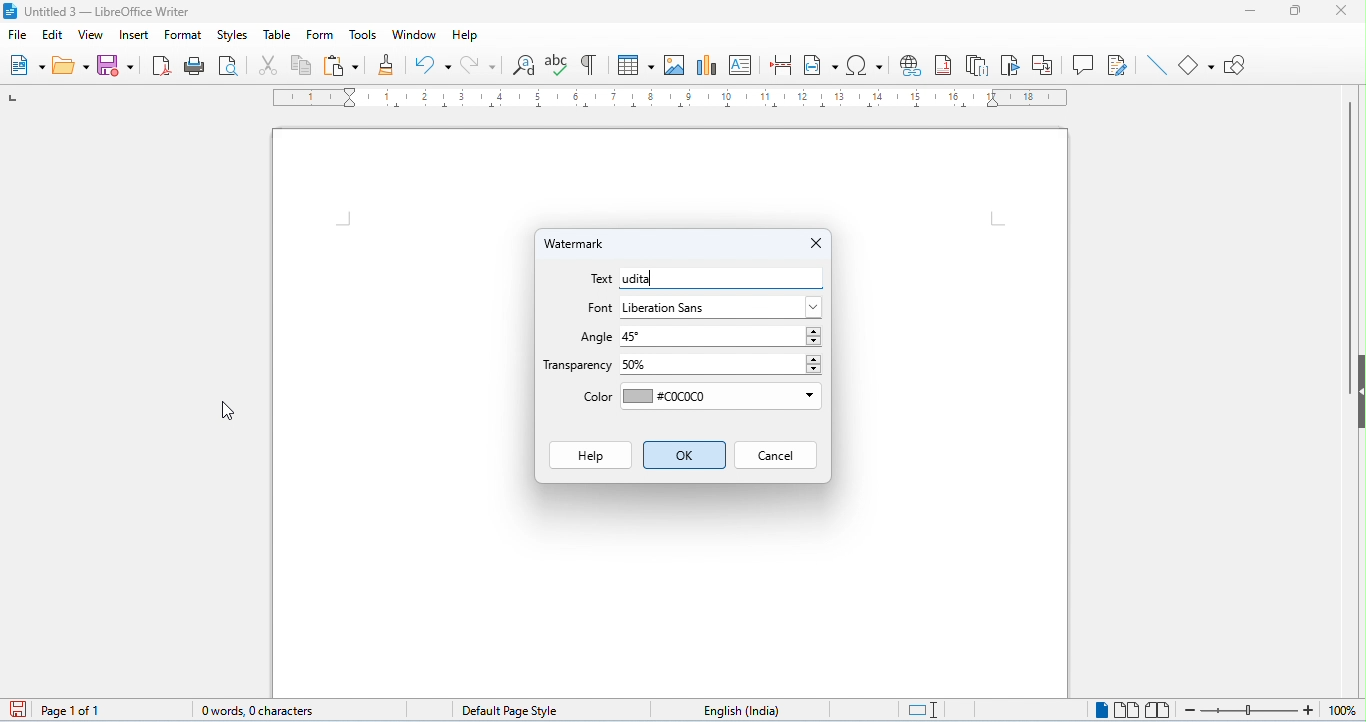  Describe the element at coordinates (1339, 10) in the screenshot. I see `close` at that location.